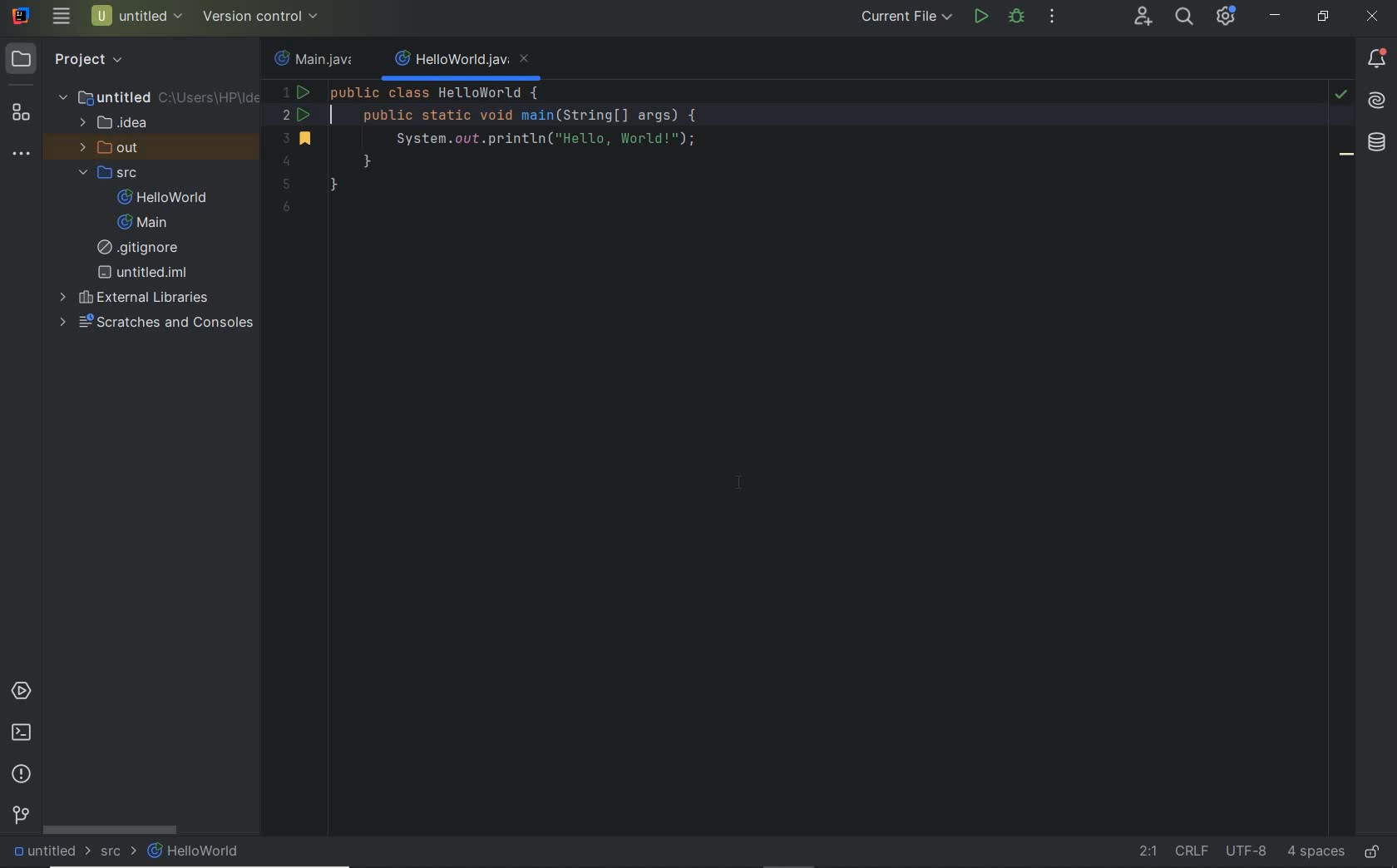  I want to click on project name, so click(138, 16).